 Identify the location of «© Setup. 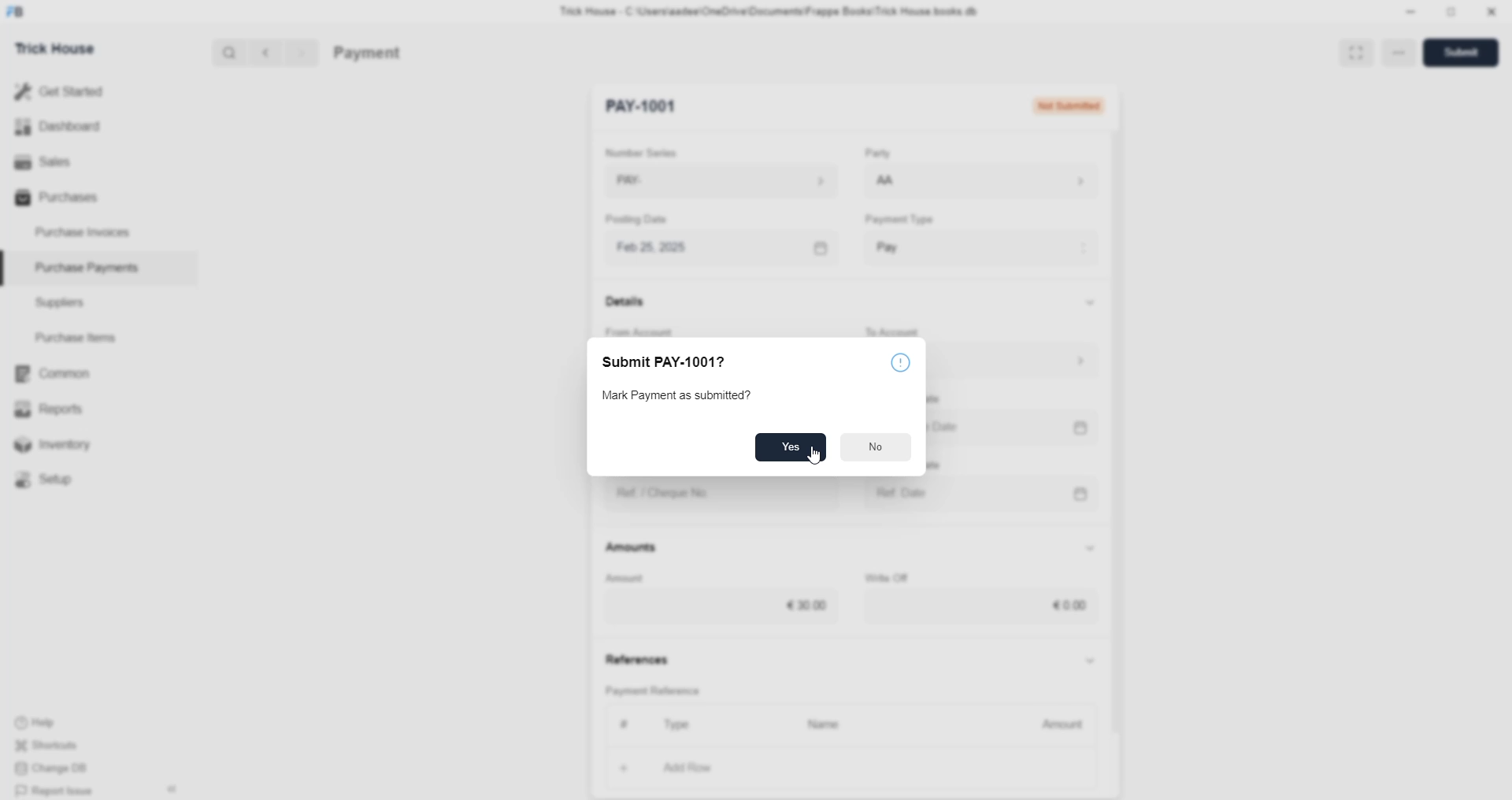
(49, 480).